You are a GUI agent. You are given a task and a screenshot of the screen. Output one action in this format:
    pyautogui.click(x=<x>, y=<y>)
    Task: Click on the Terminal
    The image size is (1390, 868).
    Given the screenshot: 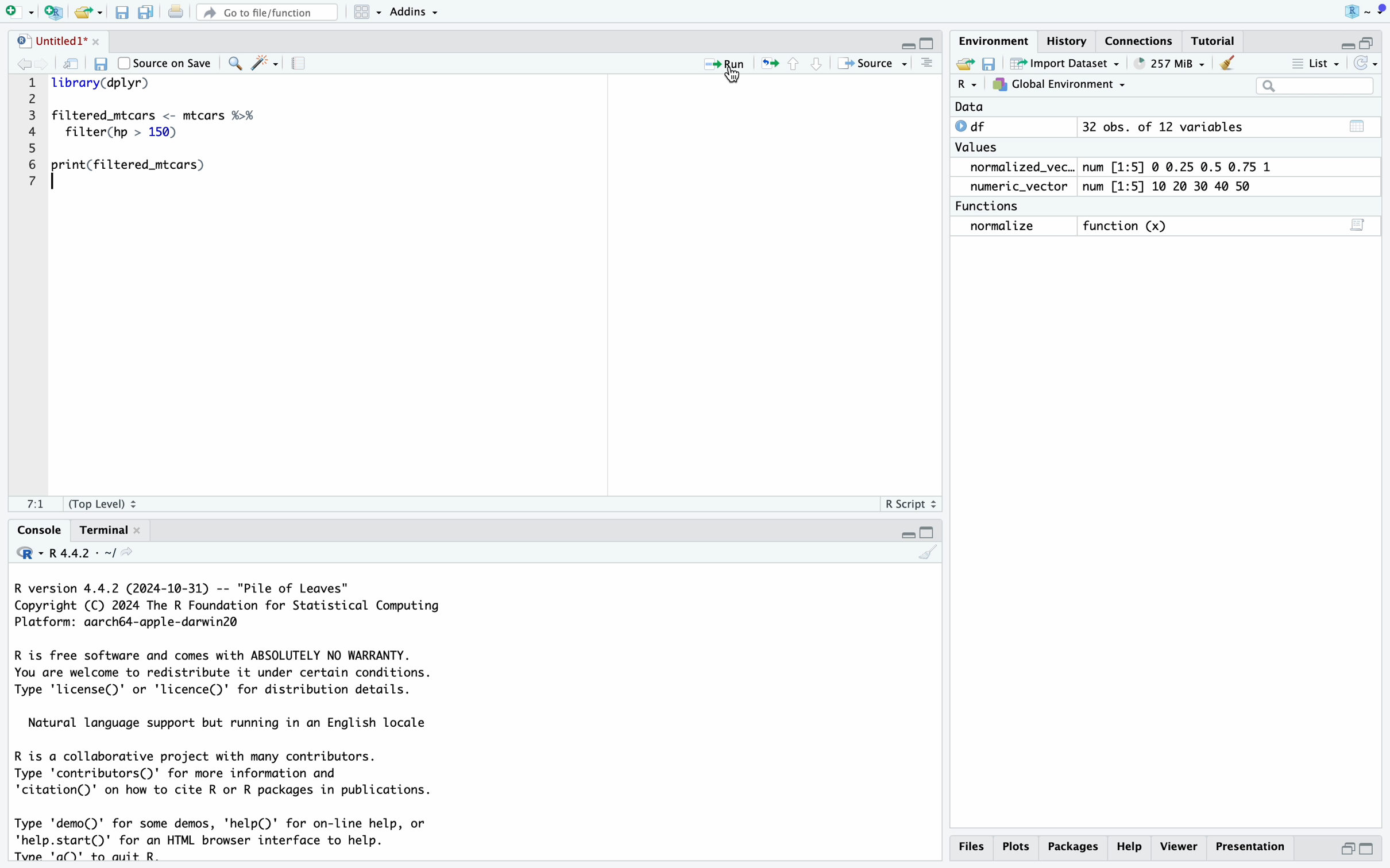 What is the action you would take?
    pyautogui.click(x=104, y=532)
    